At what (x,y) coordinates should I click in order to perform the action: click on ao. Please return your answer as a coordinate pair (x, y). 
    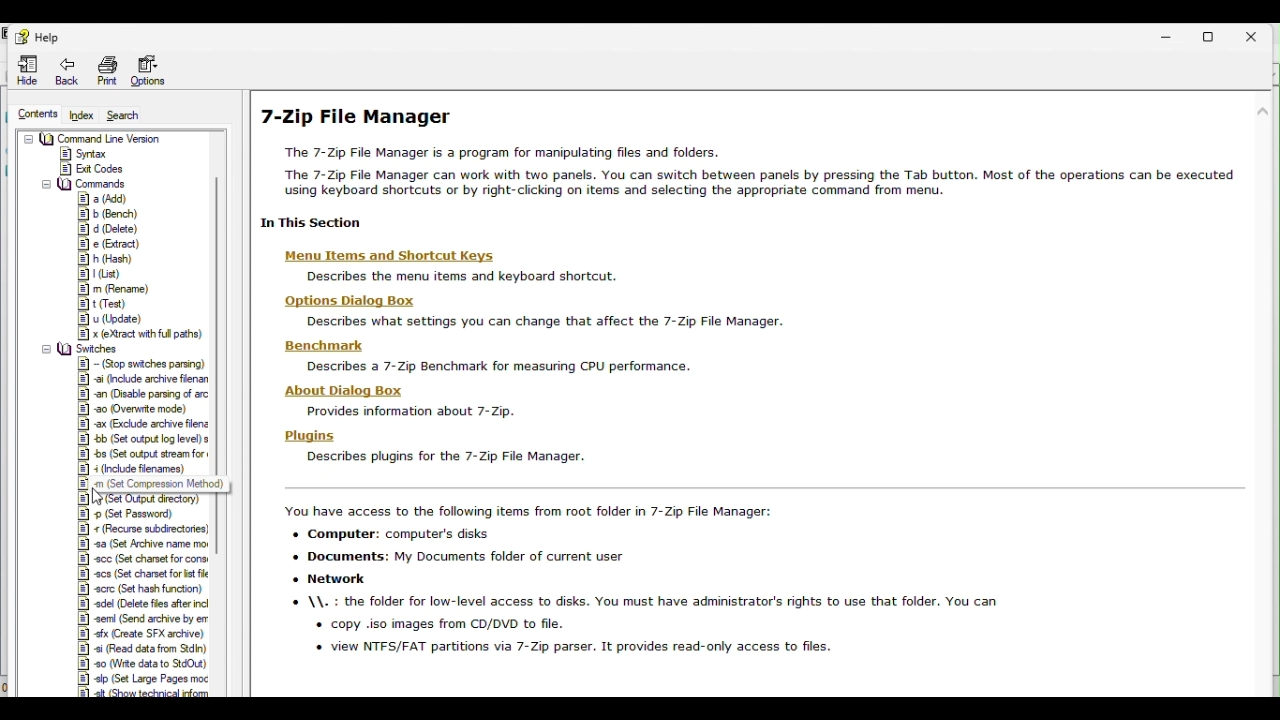
    Looking at the image, I should click on (140, 409).